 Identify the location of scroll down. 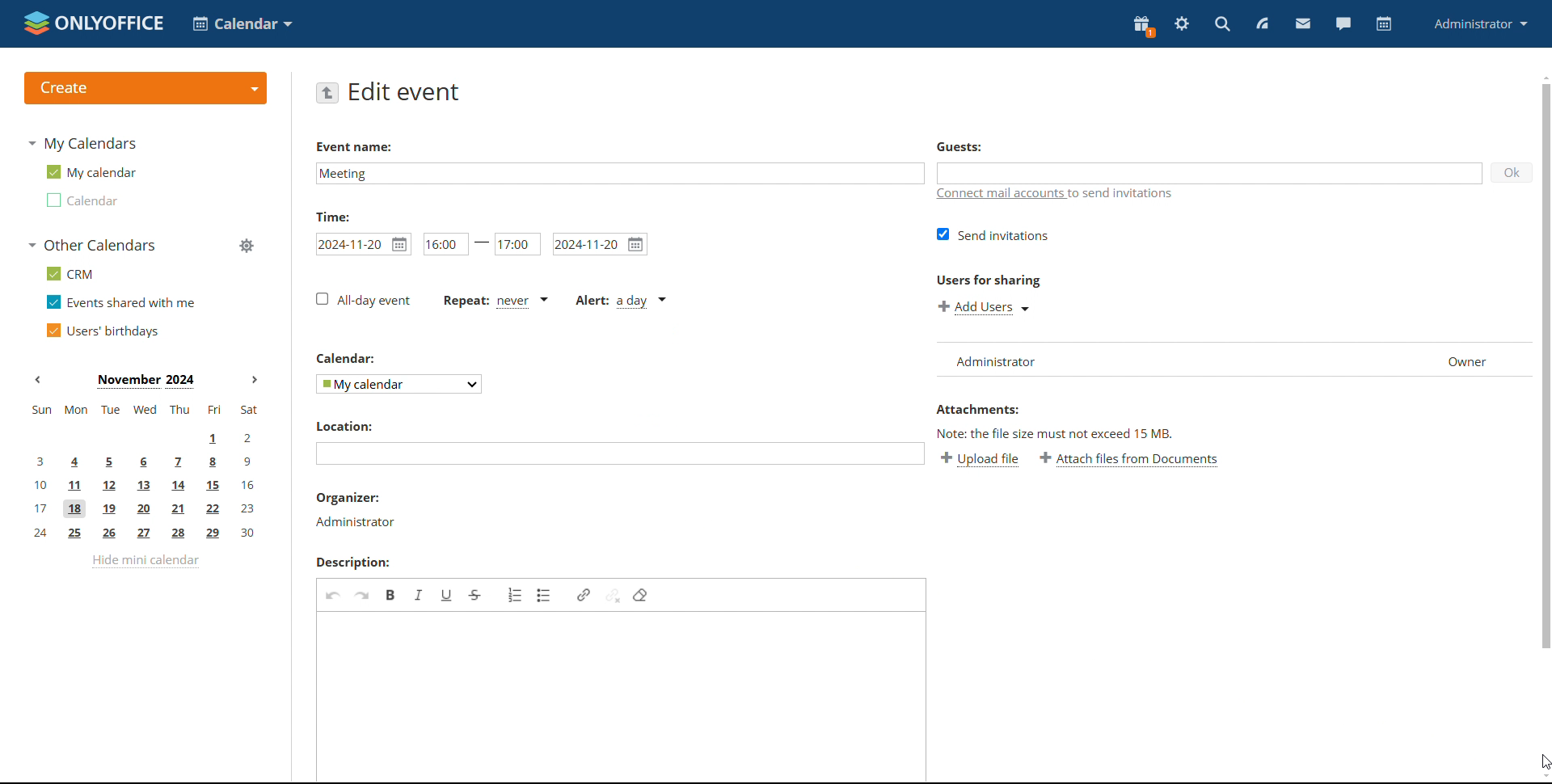
(1542, 778).